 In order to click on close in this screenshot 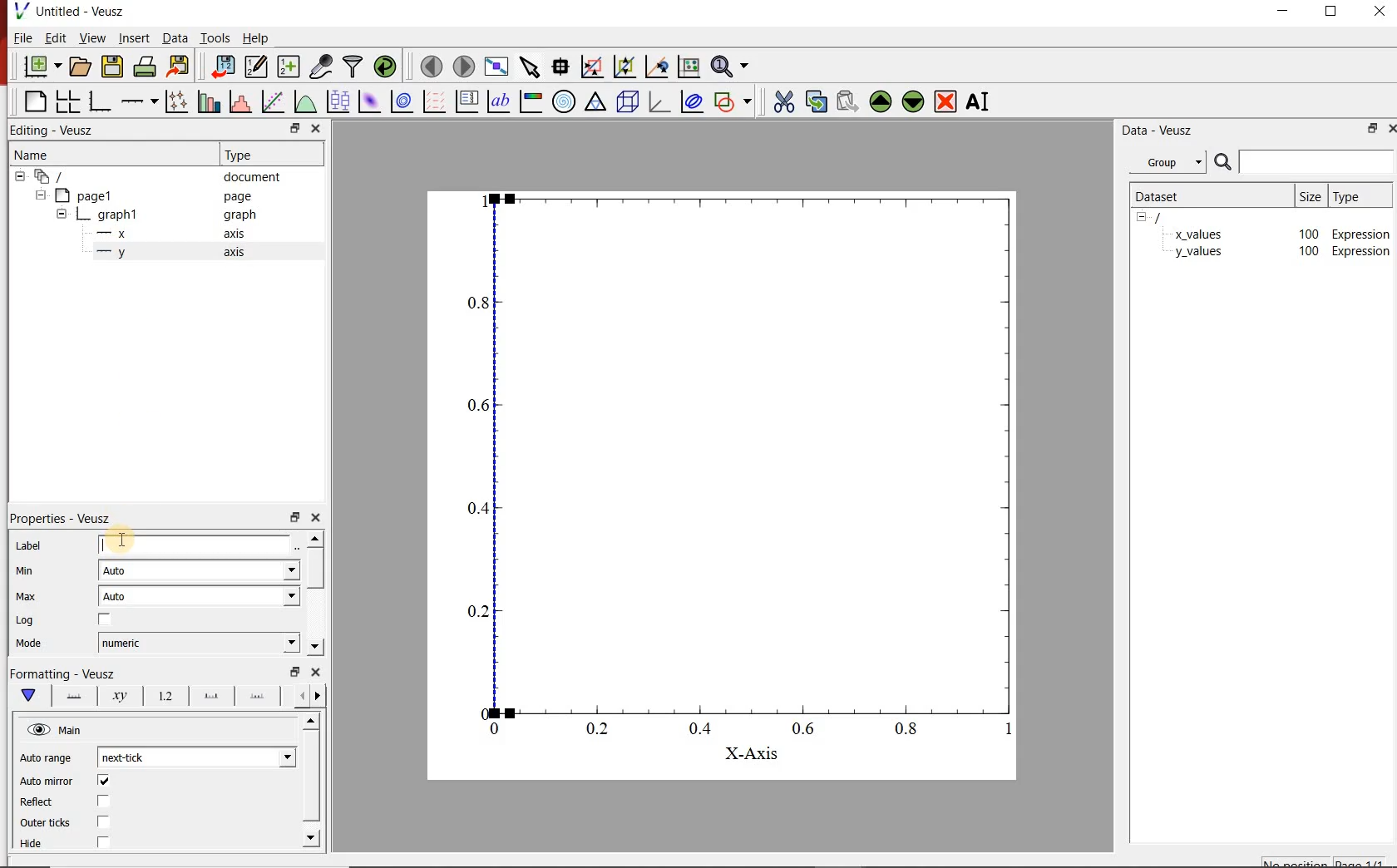, I will do `click(316, 516)`.